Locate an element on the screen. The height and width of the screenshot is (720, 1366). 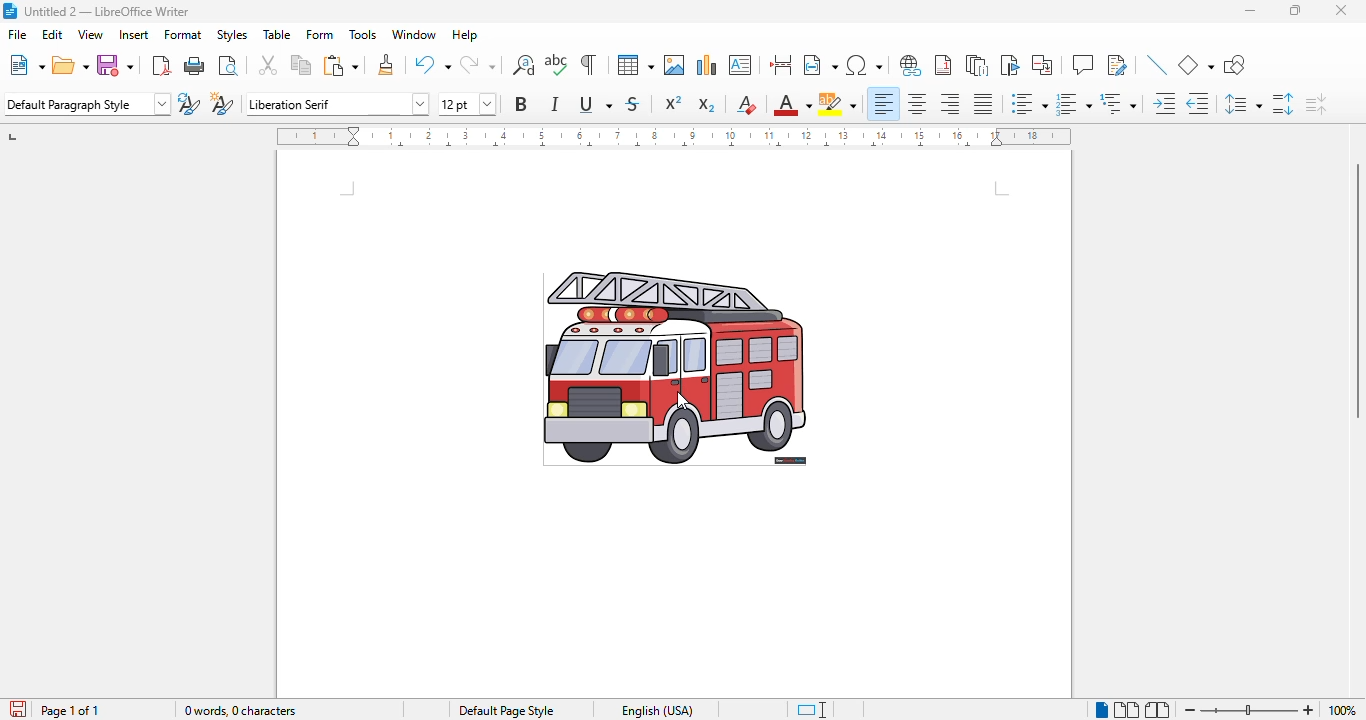
zoom out is located at coordinates (1191, 711).